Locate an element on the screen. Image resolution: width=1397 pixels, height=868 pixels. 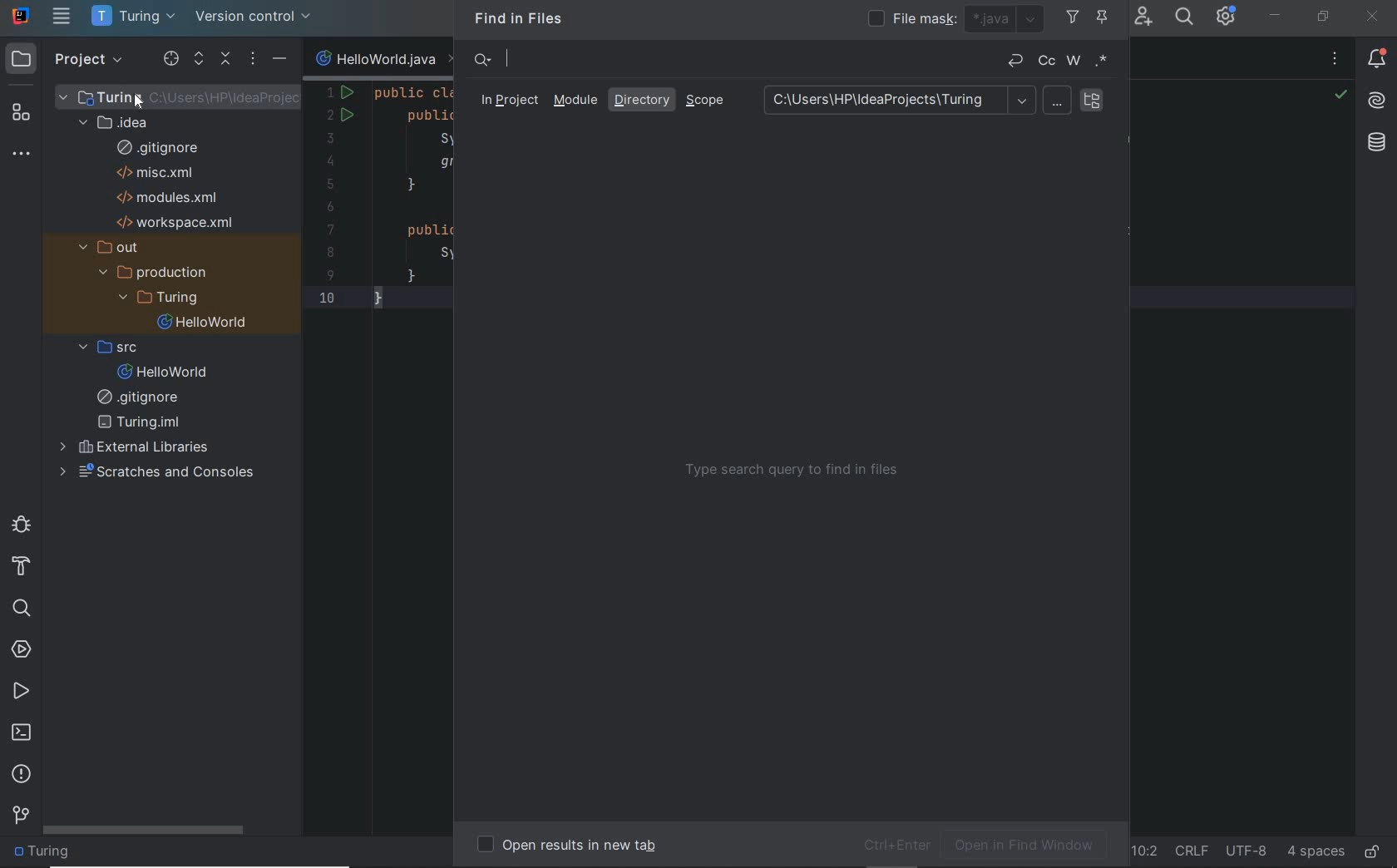
gitignore is located at coordinates (141, 400).